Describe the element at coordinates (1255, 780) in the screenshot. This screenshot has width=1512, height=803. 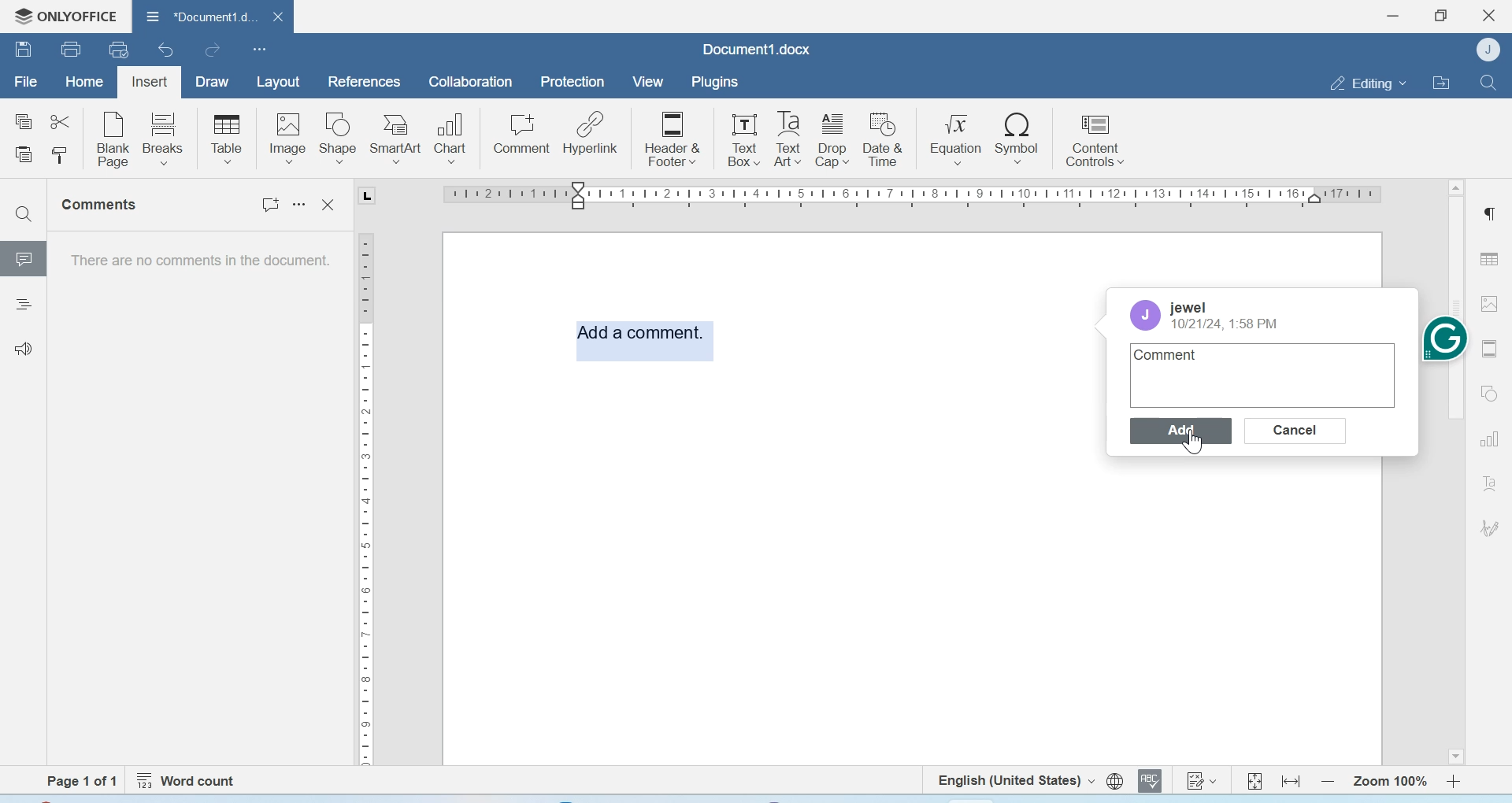
I see `Fit to page` at that location.